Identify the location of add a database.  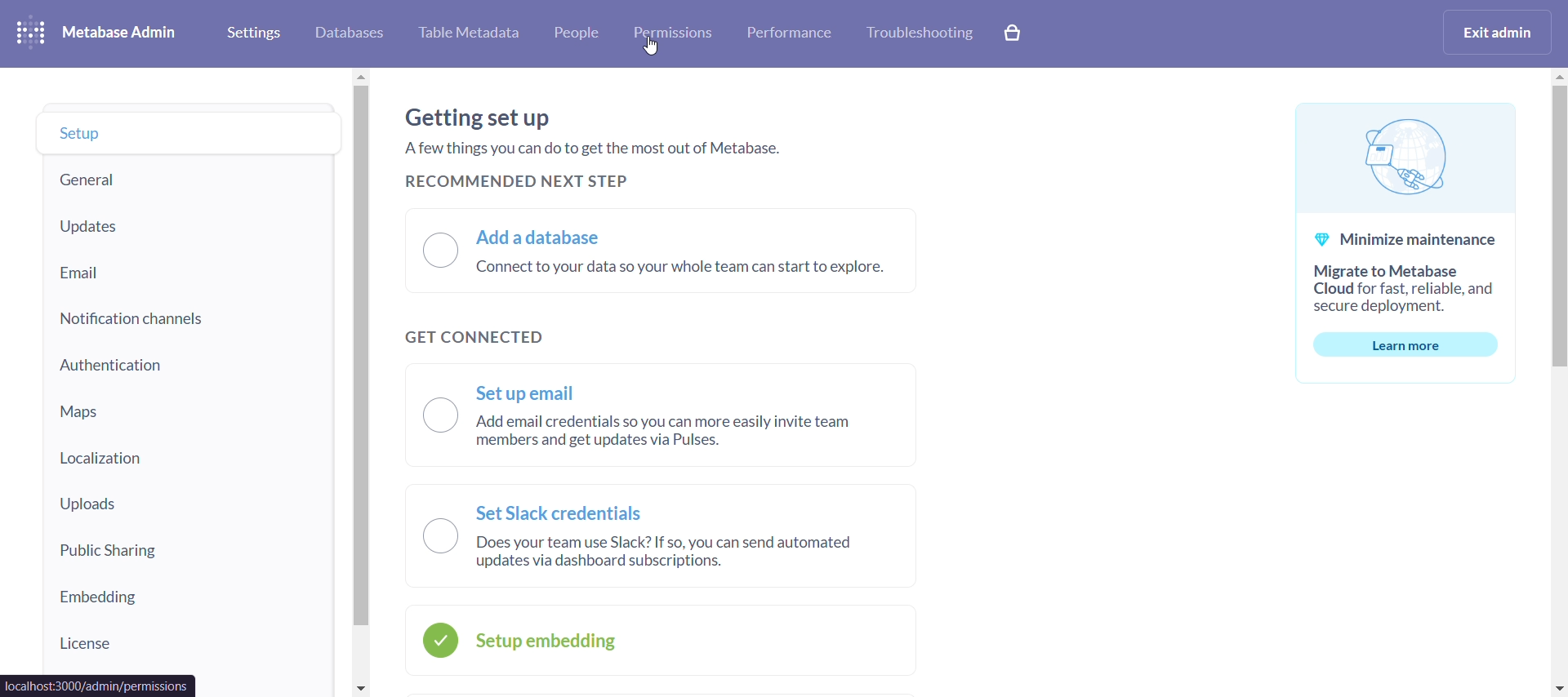
(659, 250).